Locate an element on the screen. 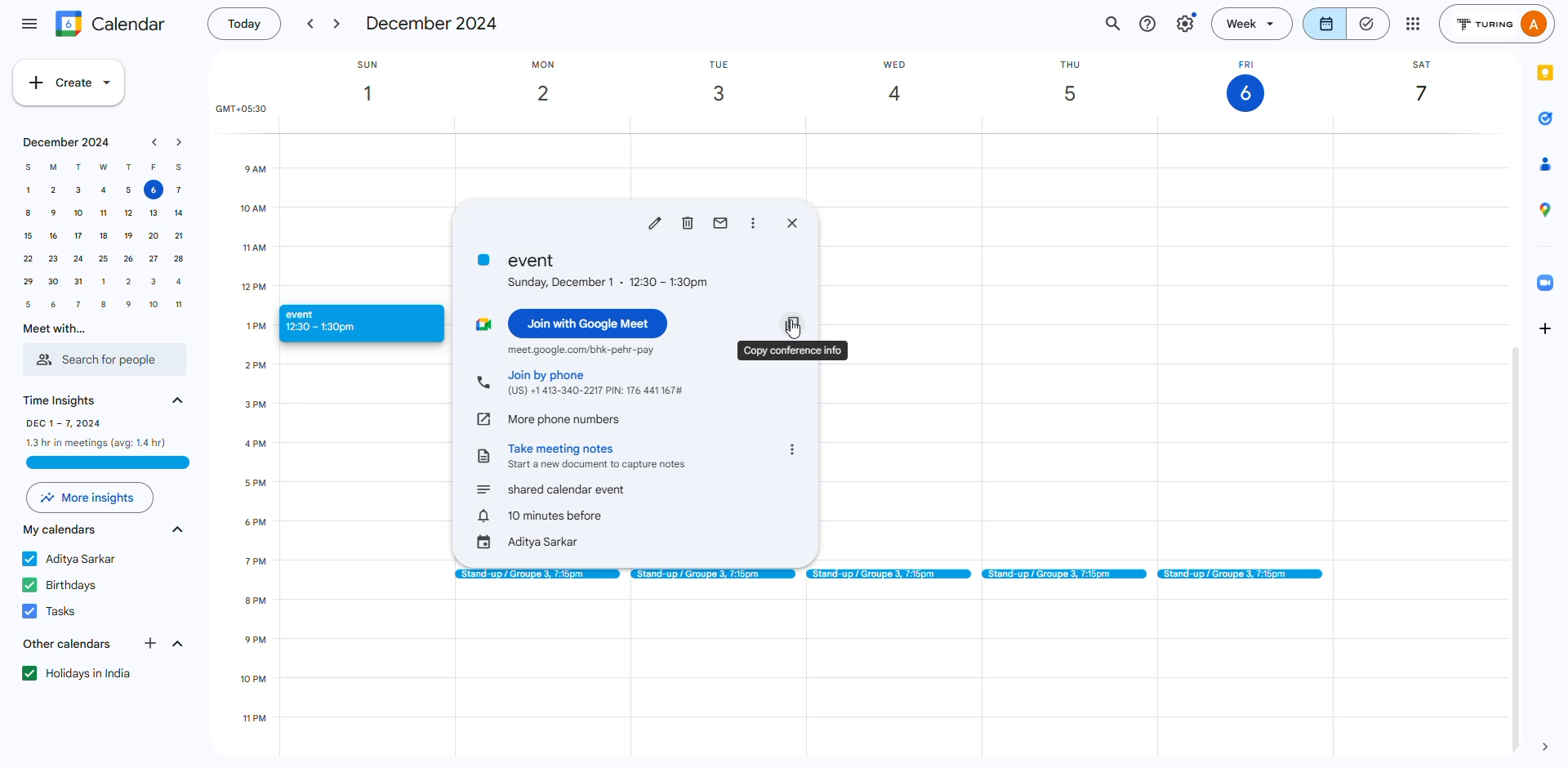  notes is located at coordinates (600, 454).